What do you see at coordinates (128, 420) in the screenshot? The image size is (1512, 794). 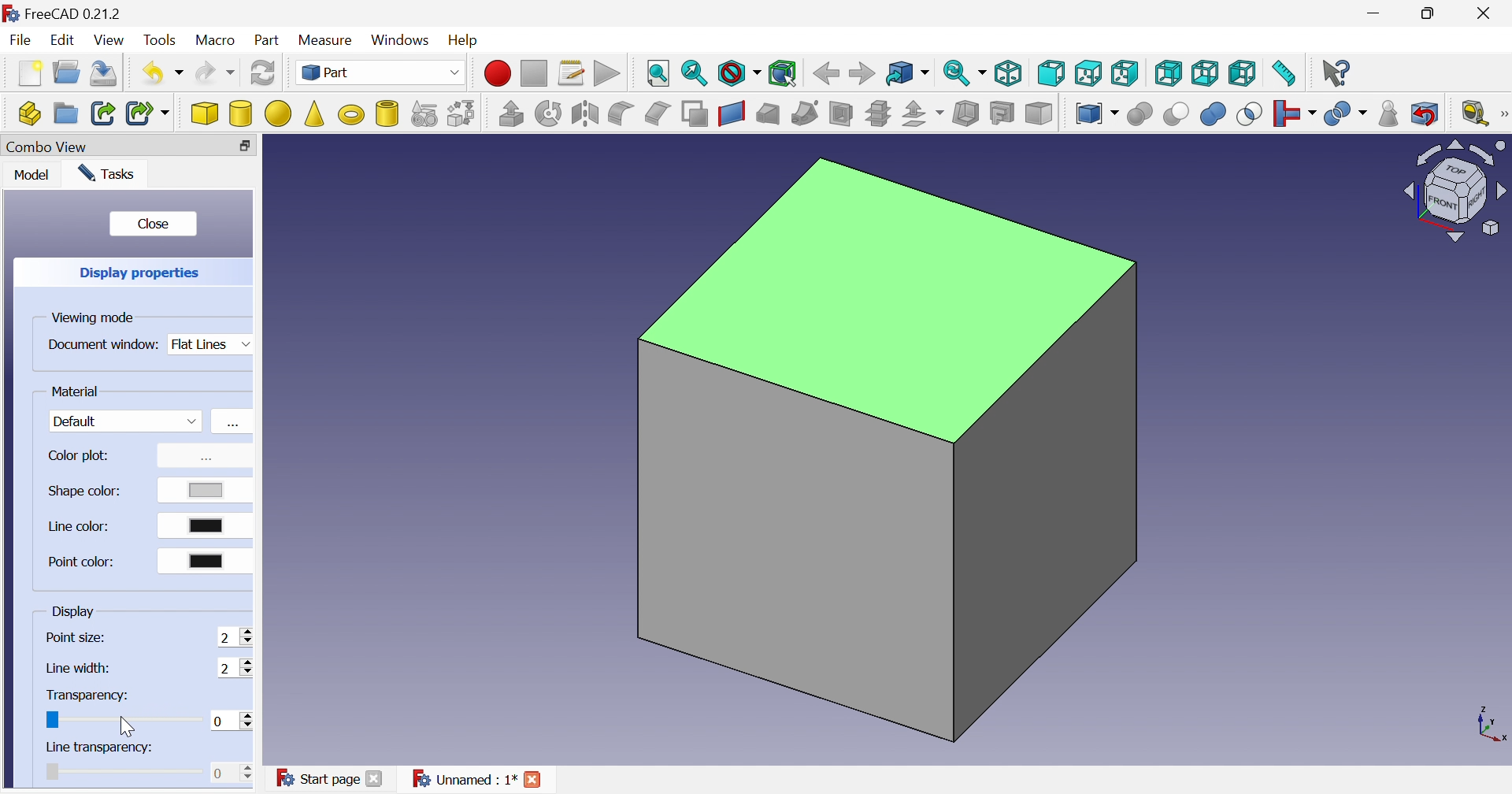 I see `Default` at bounding box center [128, 420].